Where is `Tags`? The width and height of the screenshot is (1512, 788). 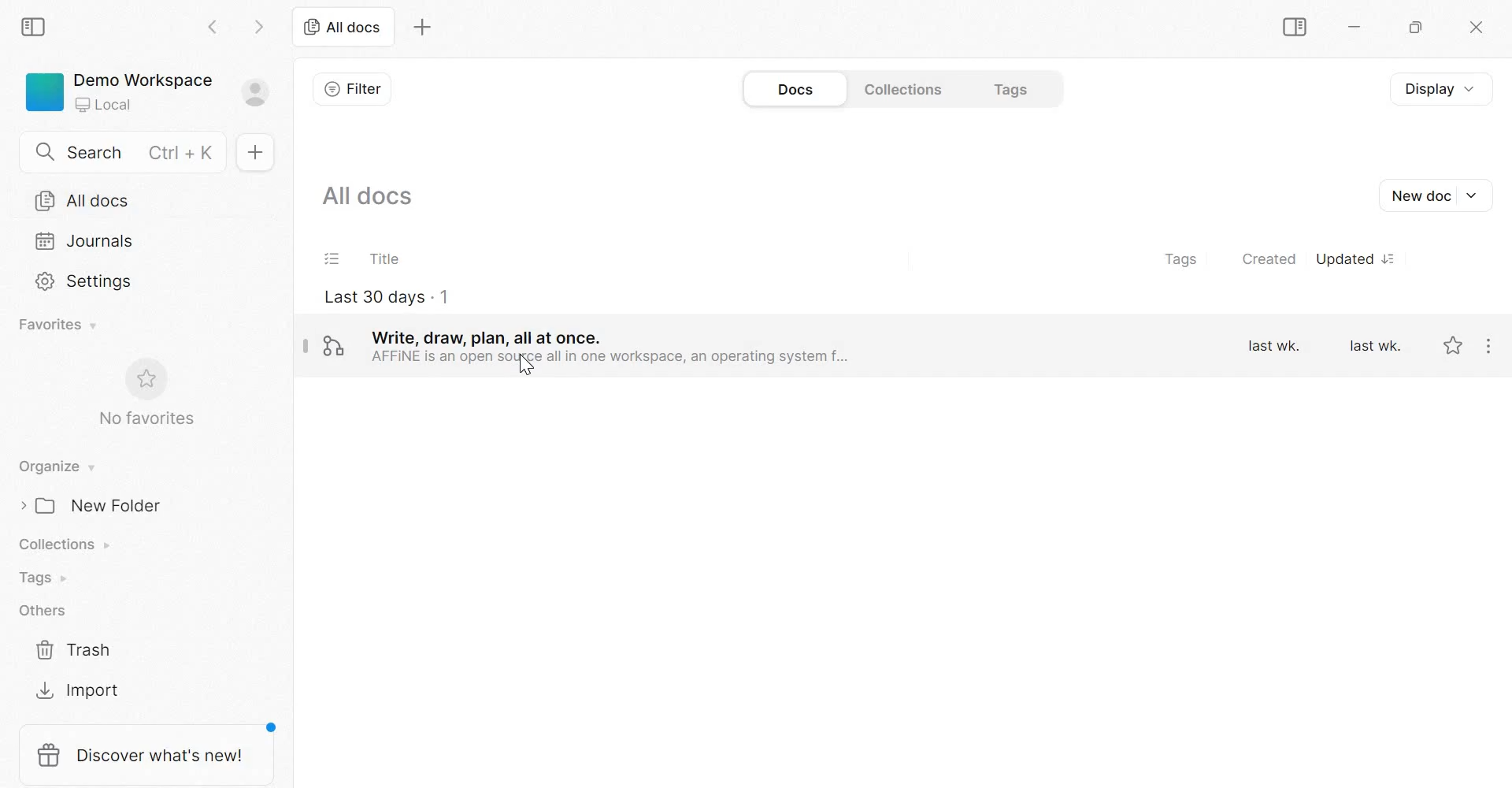 Tags is located at coordinates (1014, 88).